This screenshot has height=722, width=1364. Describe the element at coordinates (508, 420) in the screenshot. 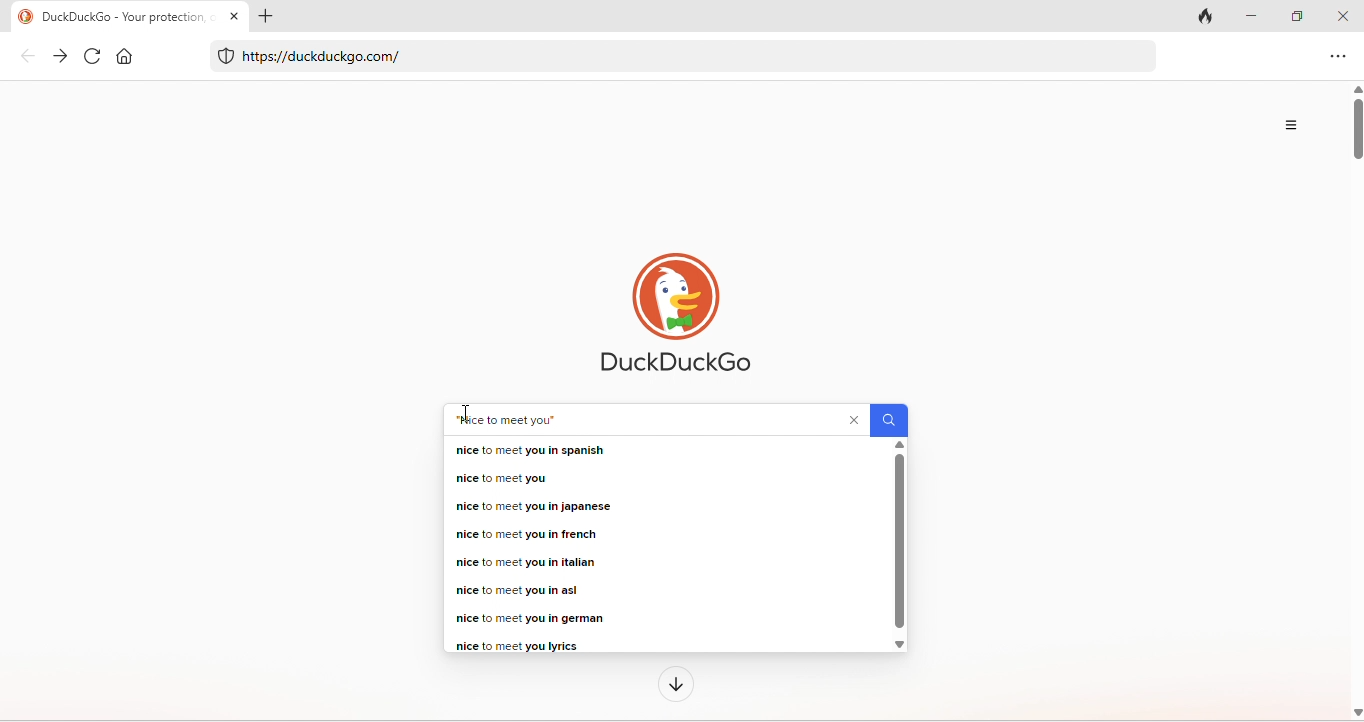

I see `nice to meet you` at that location.